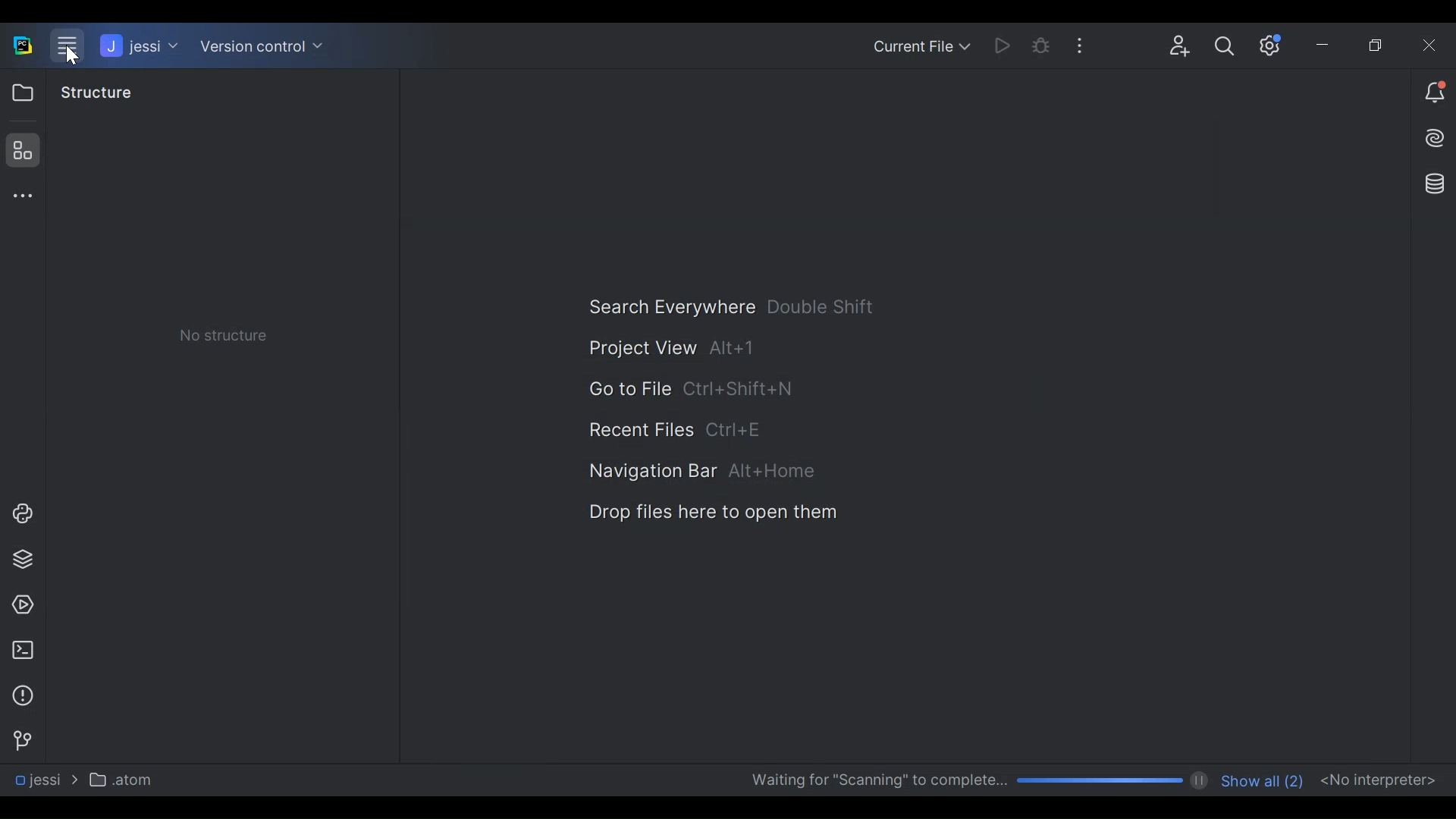  What do you see at coordinates (20, 560) in the screenshot?
I see `Project Packages` at bounding box center [20, 560].